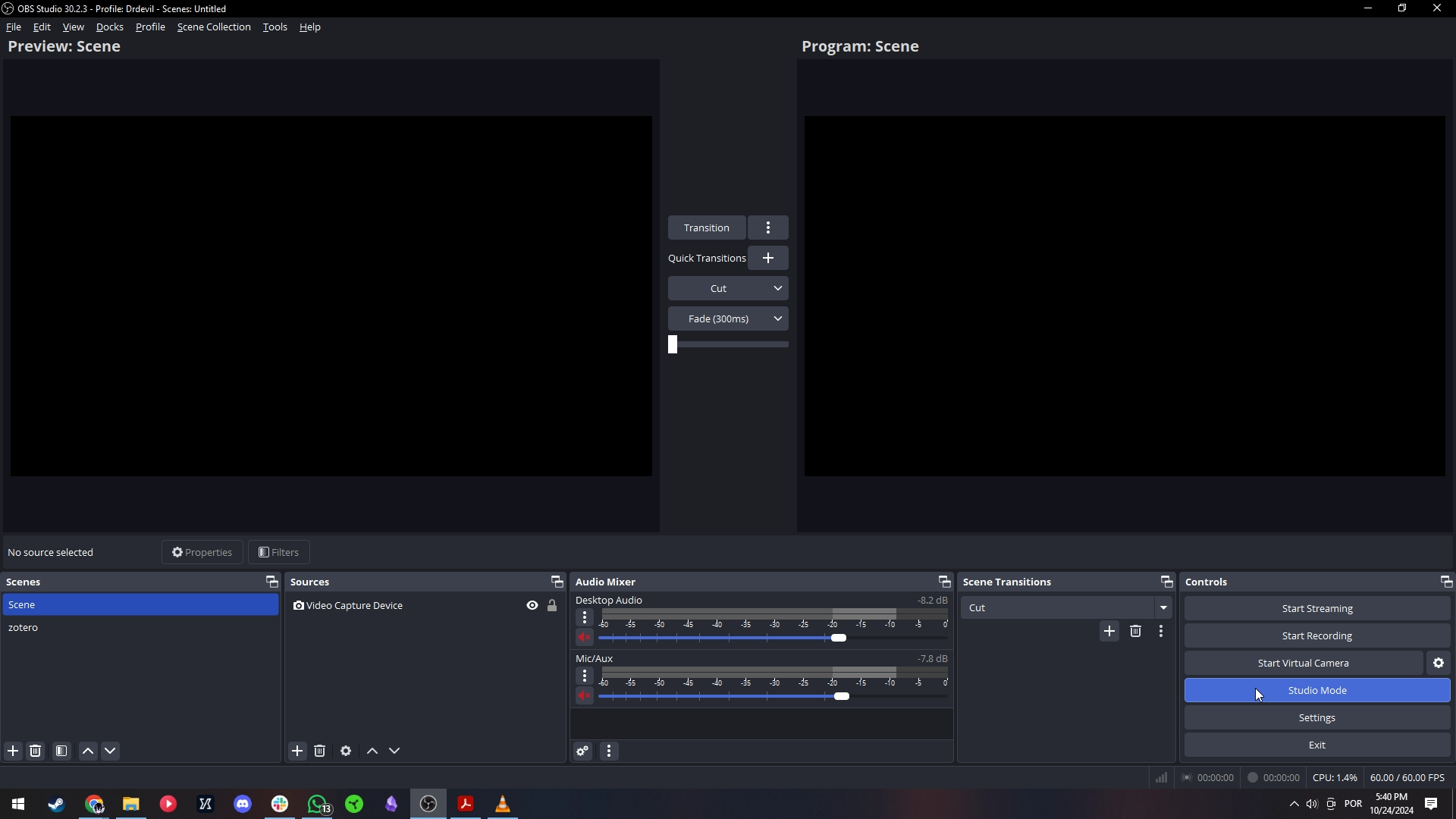 Image resolution: width=1456 pixels, height=819 pixels. What do you see at coordinates (945, 581) in the screenshot?
I see `Separate audio mixer window` at bounding box center [945, 581].